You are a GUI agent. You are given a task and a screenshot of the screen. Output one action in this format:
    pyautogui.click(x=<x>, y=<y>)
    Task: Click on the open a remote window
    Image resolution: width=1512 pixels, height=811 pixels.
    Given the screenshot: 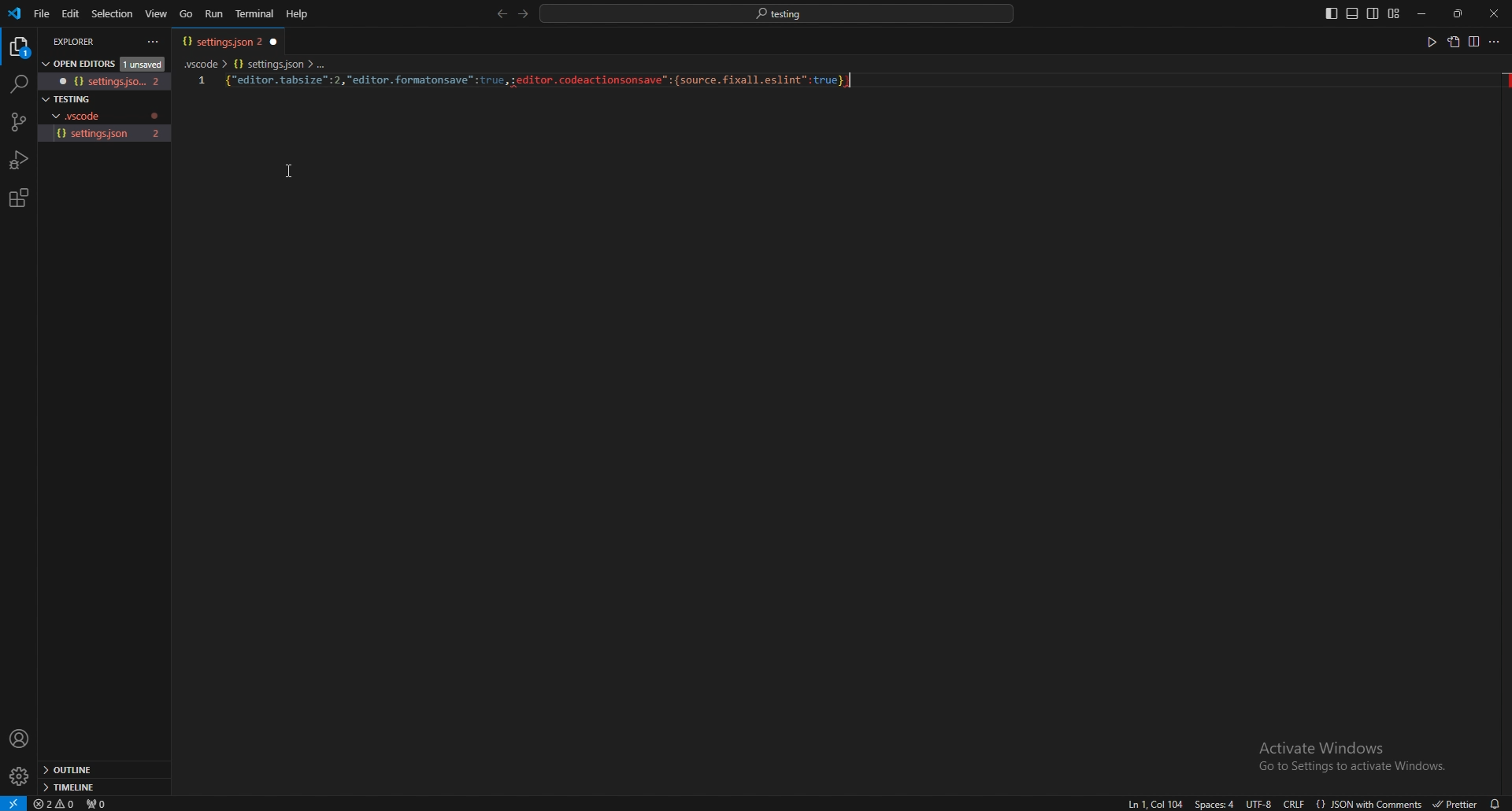 What is the action you would take?
    pyautogui.click(x=13, y=802)
    